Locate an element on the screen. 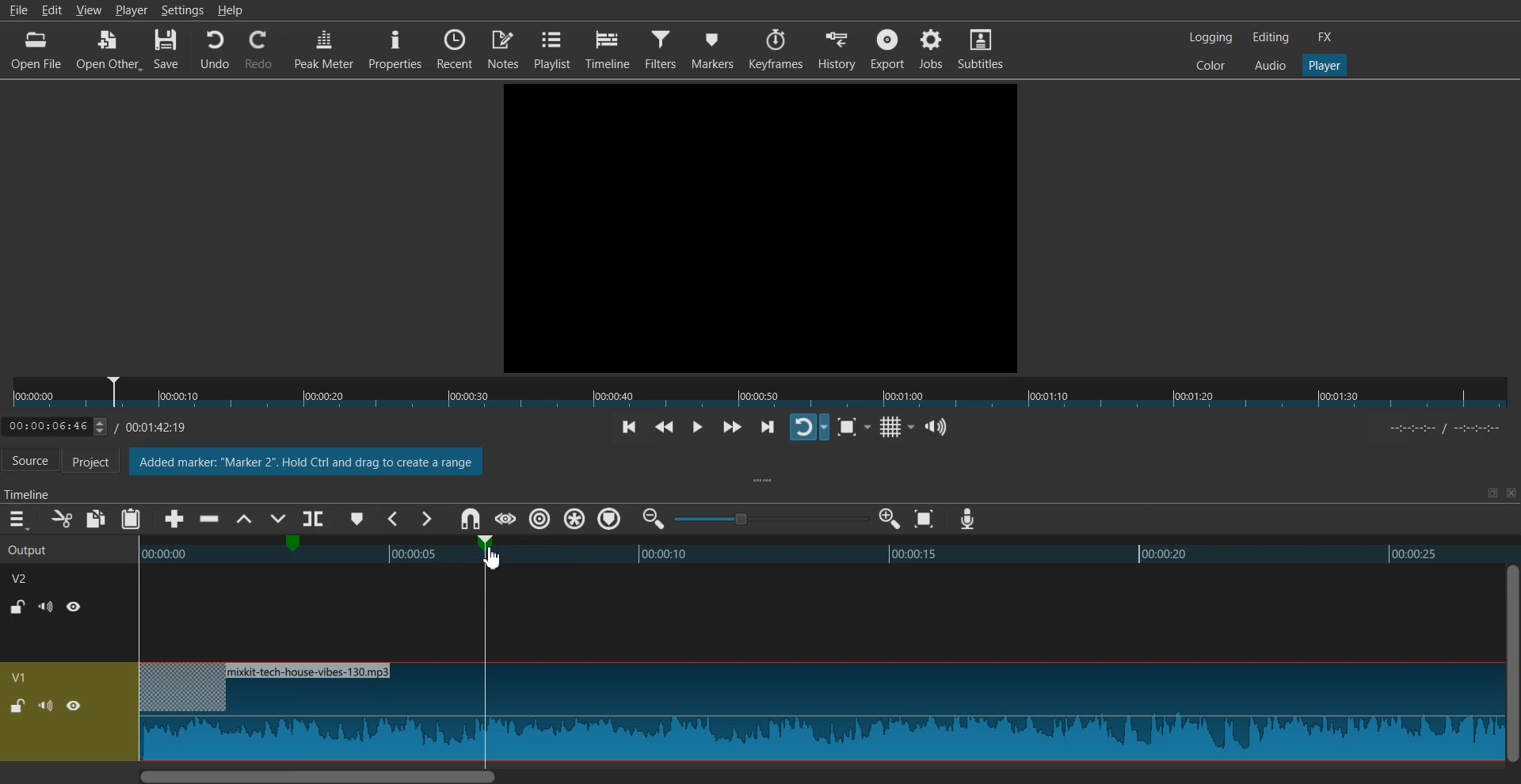  Overwrite is located at coordinates (276, 520).